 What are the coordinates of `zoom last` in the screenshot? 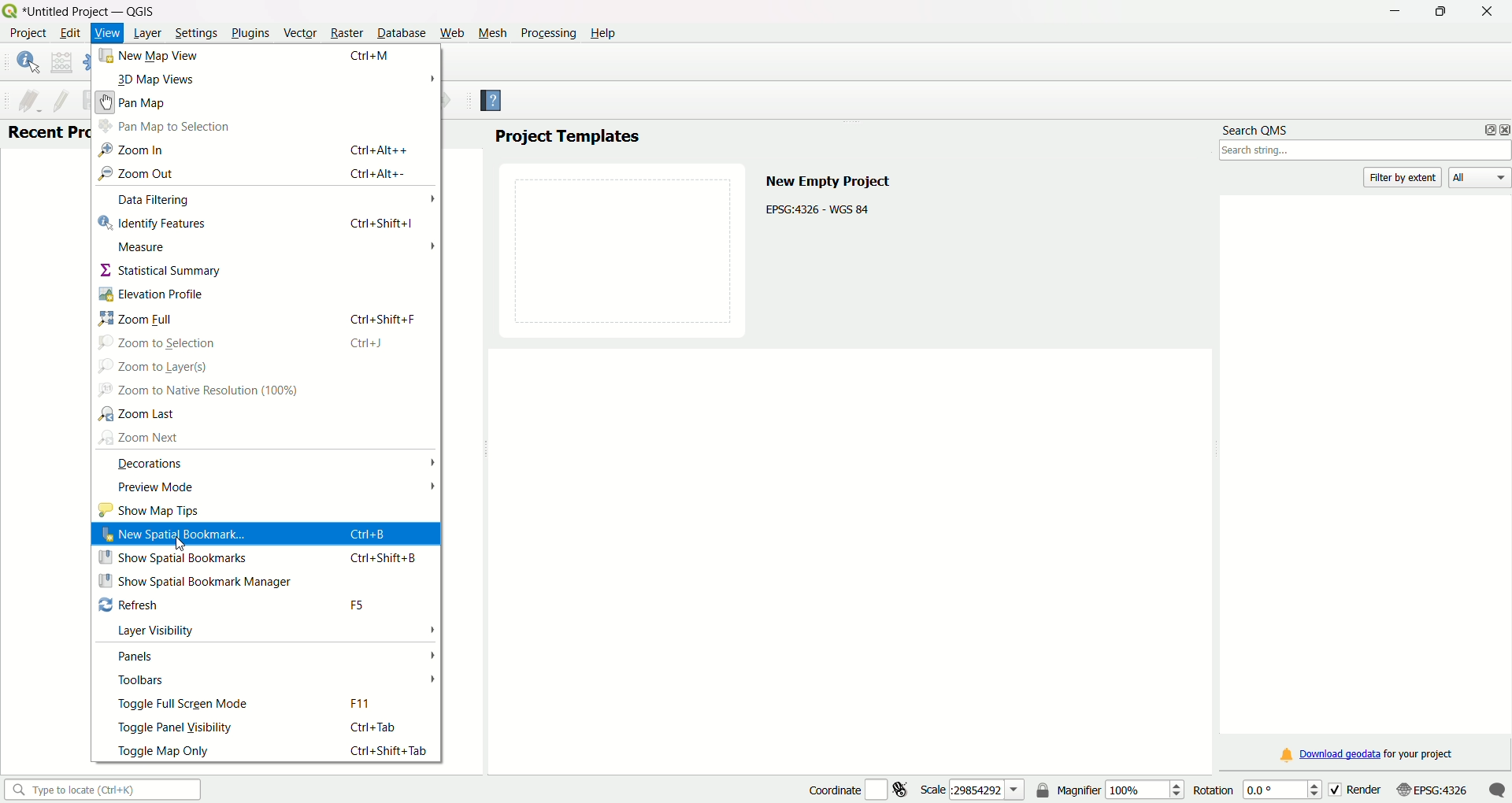 It's located at (147, 413).